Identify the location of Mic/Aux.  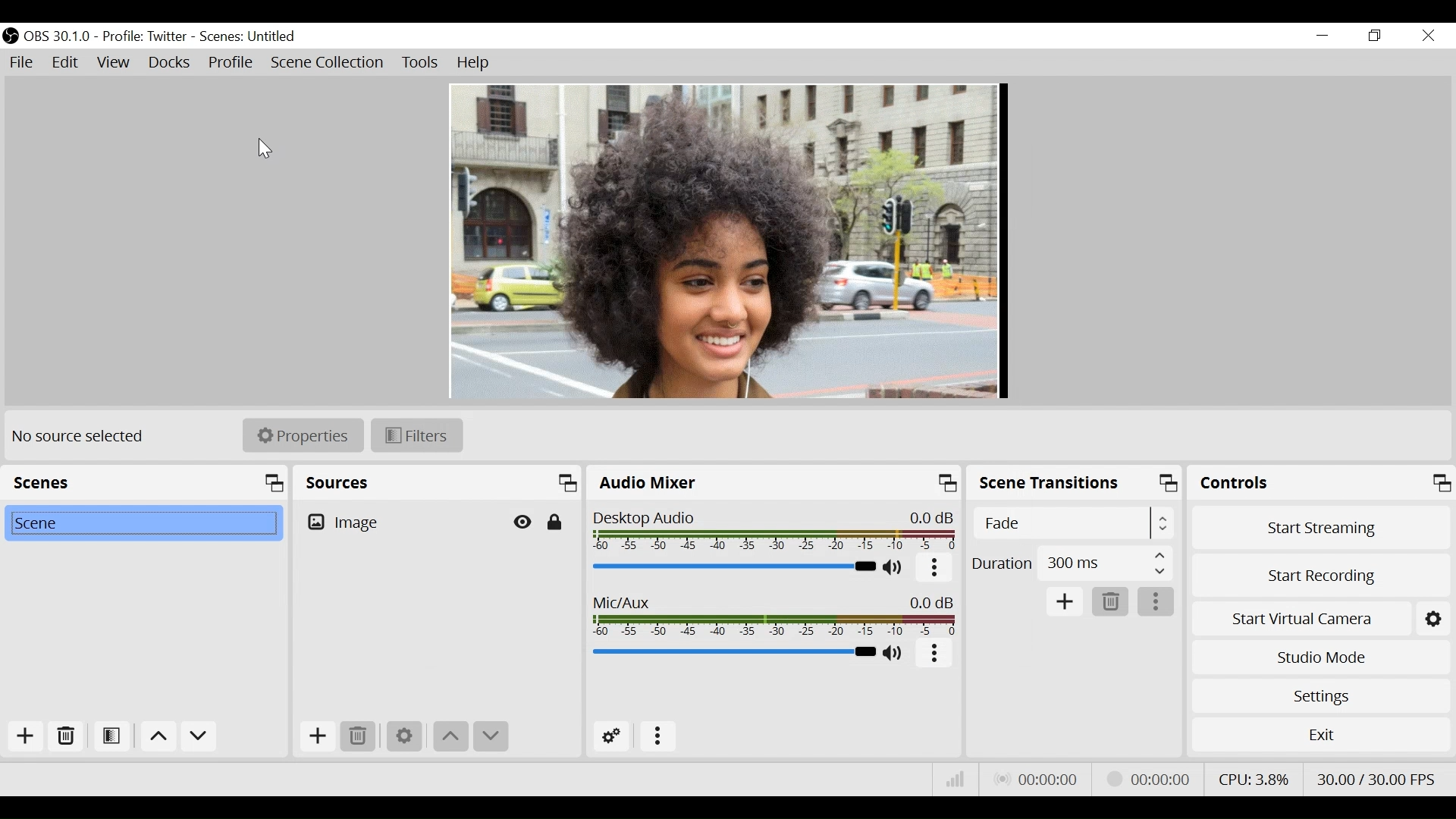
(733, 651).